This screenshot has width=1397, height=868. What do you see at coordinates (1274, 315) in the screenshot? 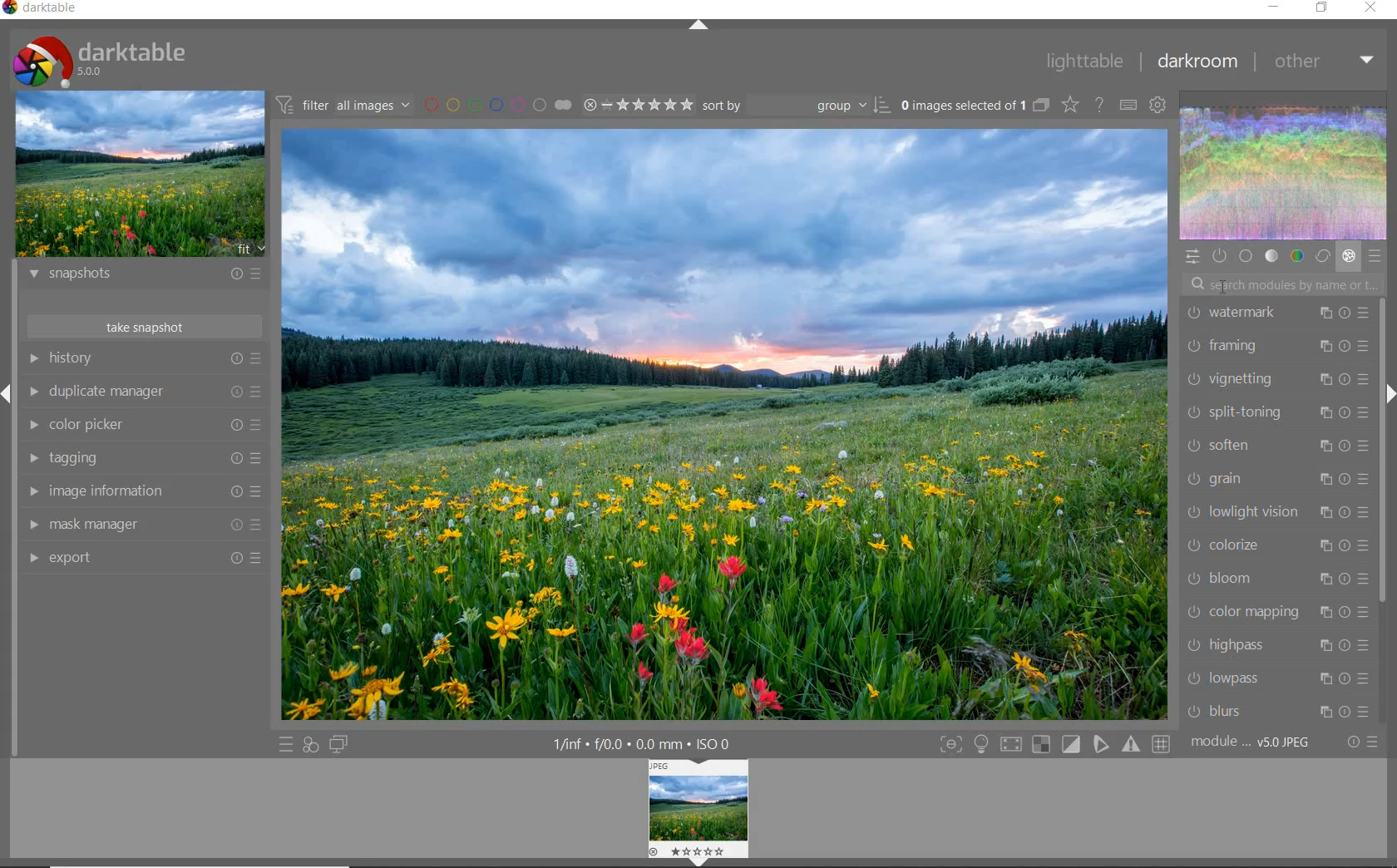
I see `watermark` at bounding box center [1274, 315].